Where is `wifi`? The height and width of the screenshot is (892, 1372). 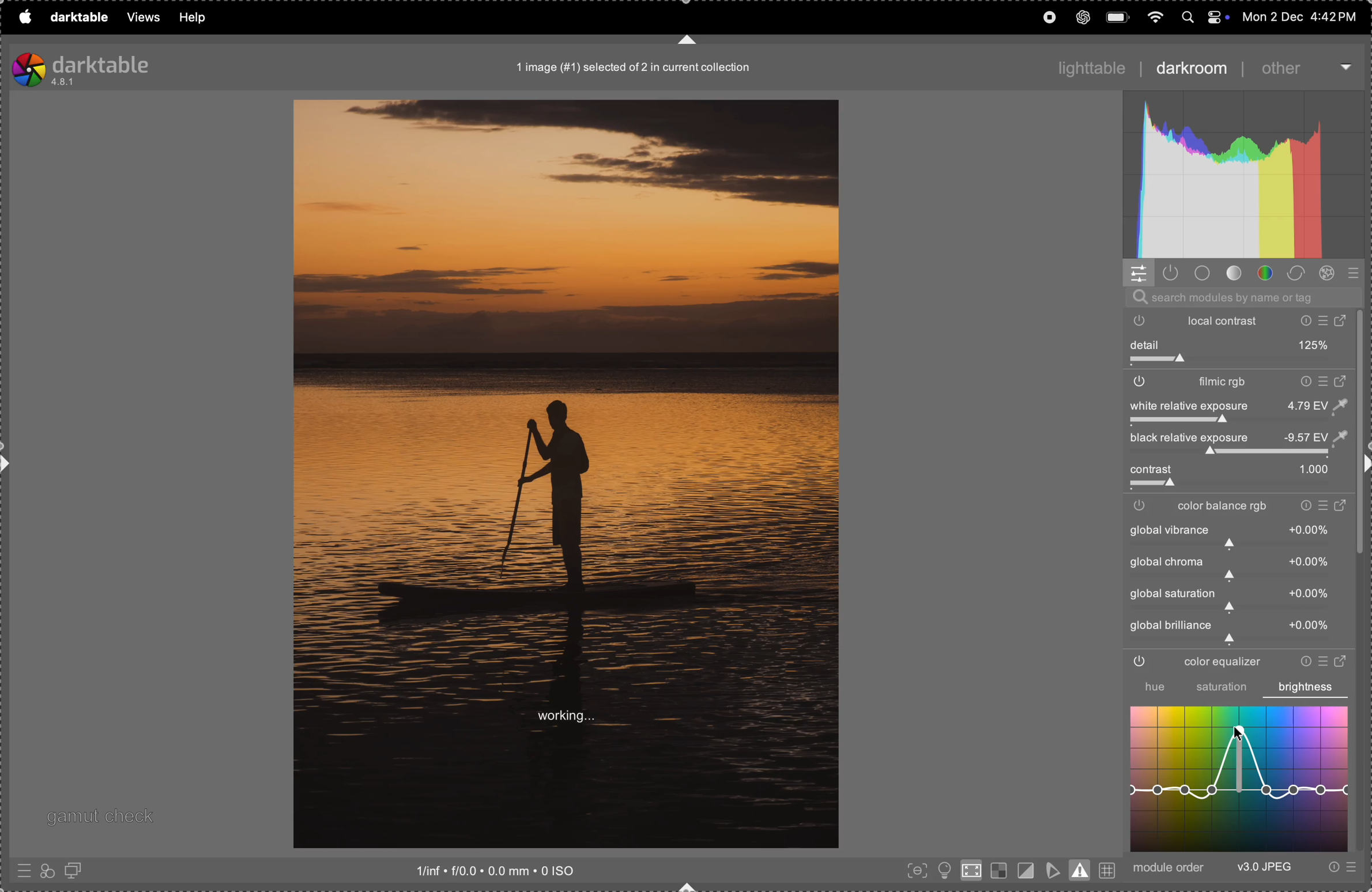 wifi is located at coordinates (1153, 16).